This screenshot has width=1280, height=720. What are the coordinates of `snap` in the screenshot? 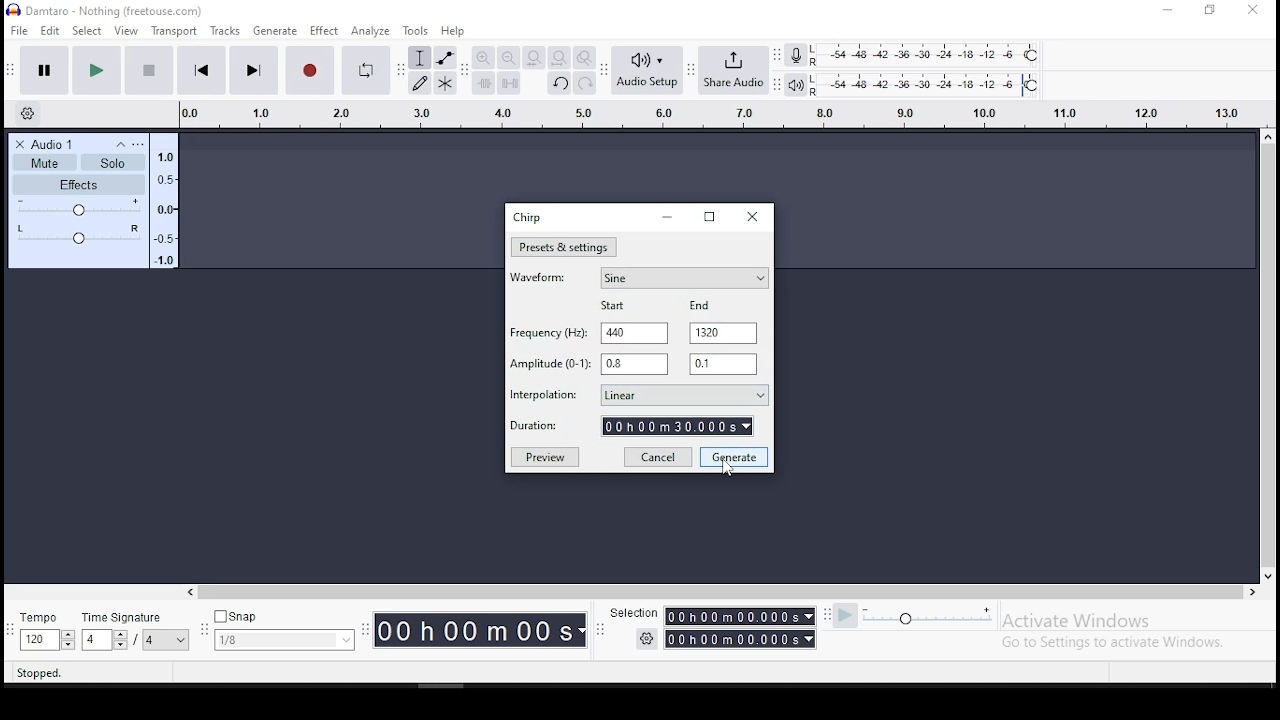 It's located at (284, 629).